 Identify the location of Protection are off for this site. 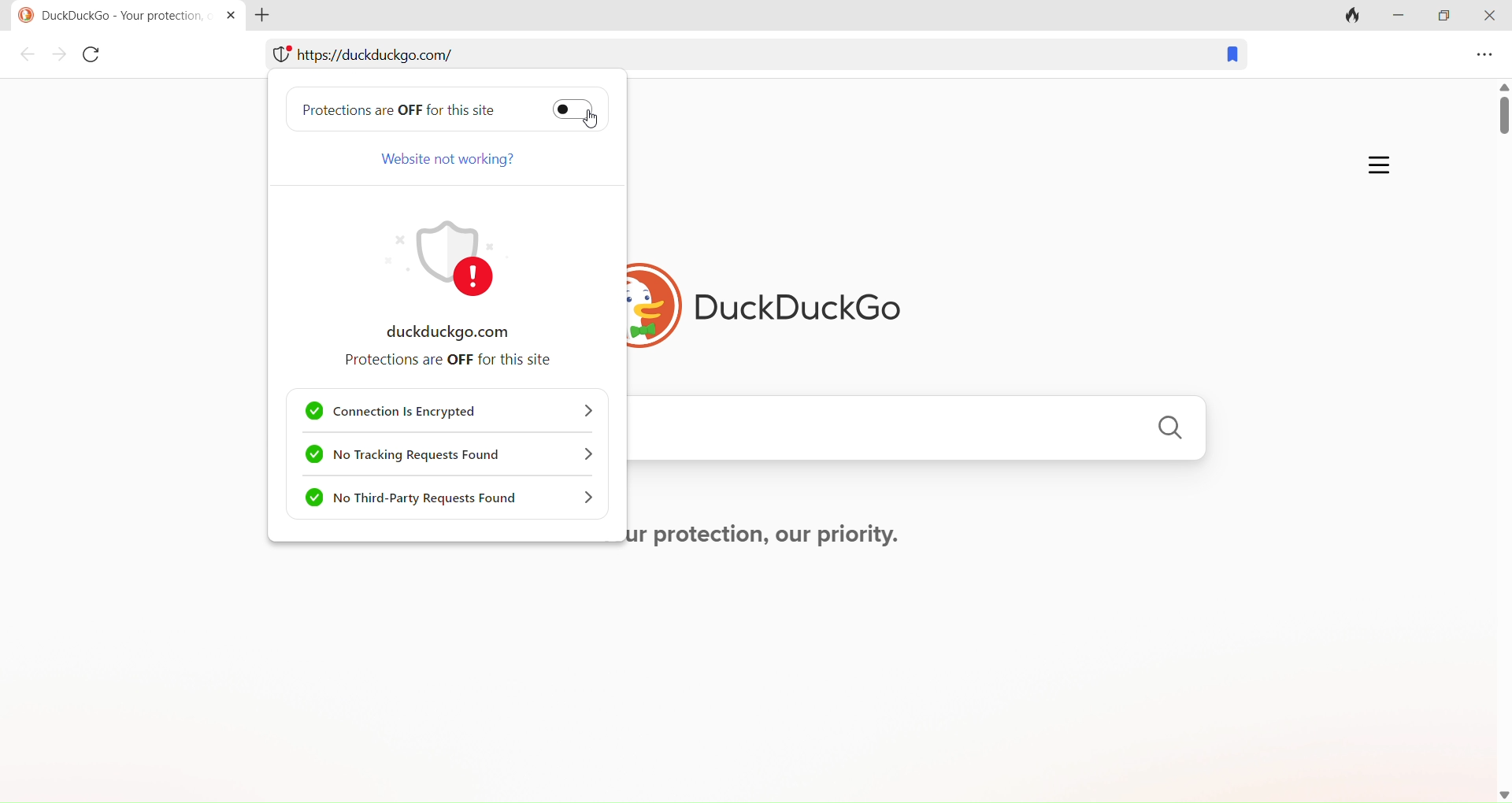
(454, 113).